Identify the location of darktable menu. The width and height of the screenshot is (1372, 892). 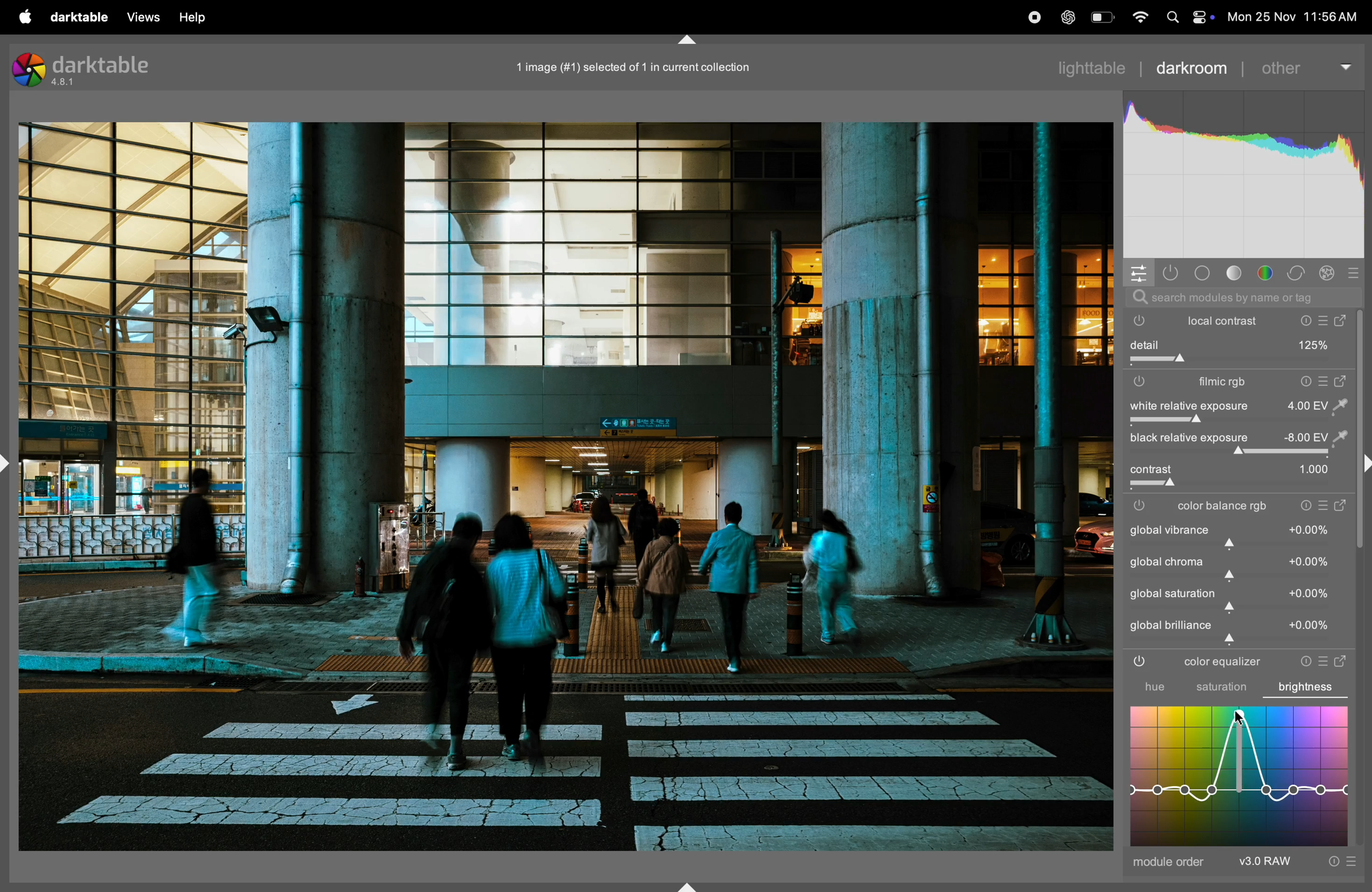
(81, 16).